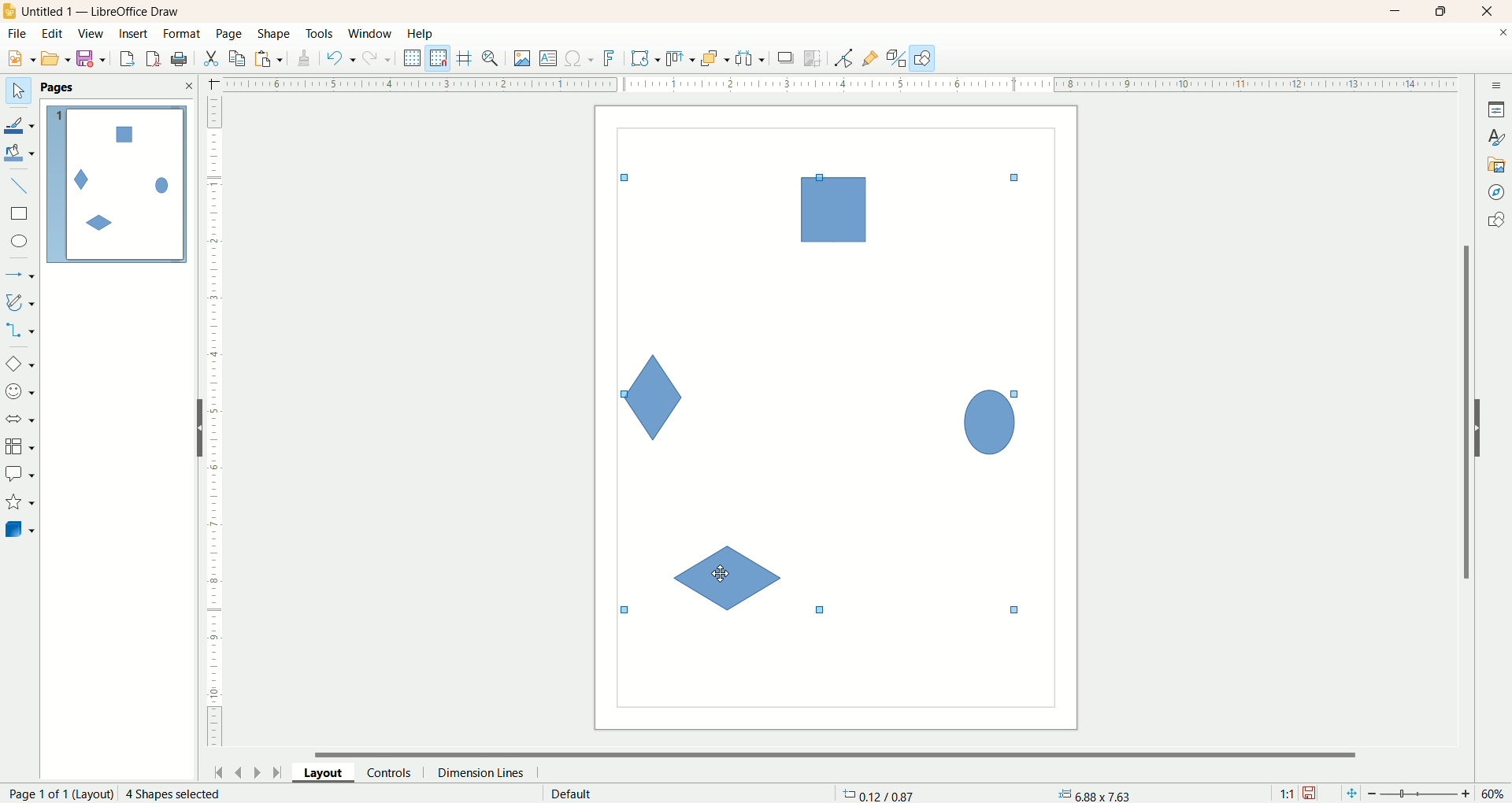 This screenshot has height=803, width=1512. What do you see at coordinates (21, 154) in the screenshot?
I see `fill color` at bounding box center [21, 154].